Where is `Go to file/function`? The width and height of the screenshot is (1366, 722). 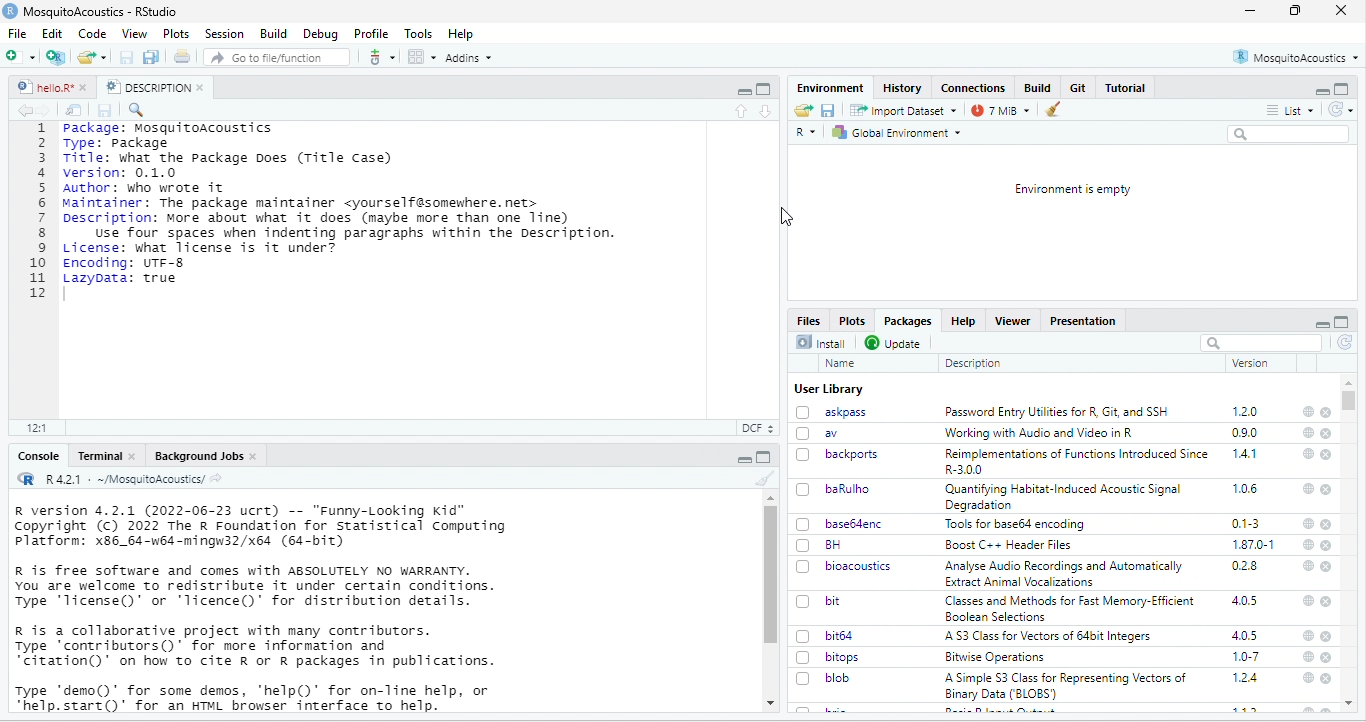
Go to file/function is located at coordinates (274, 56).